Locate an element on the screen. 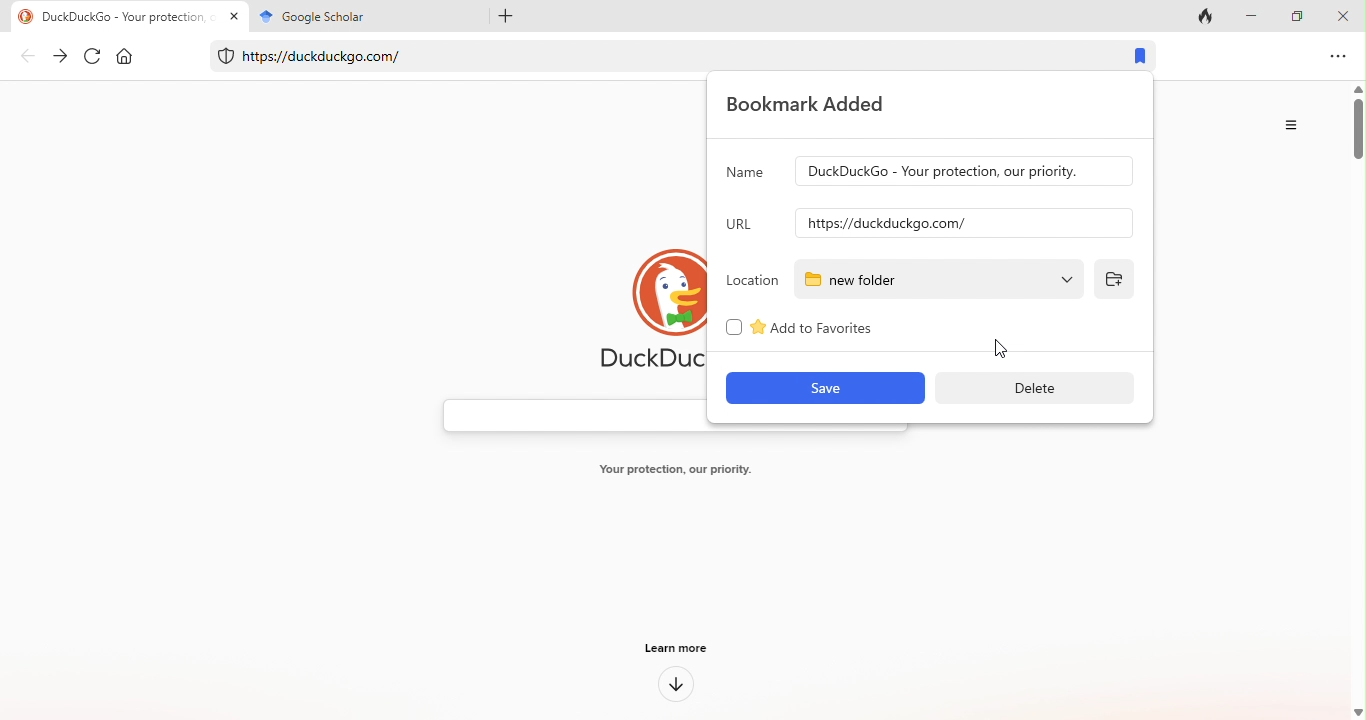  bookmark added is located at coordinates (817, 105).